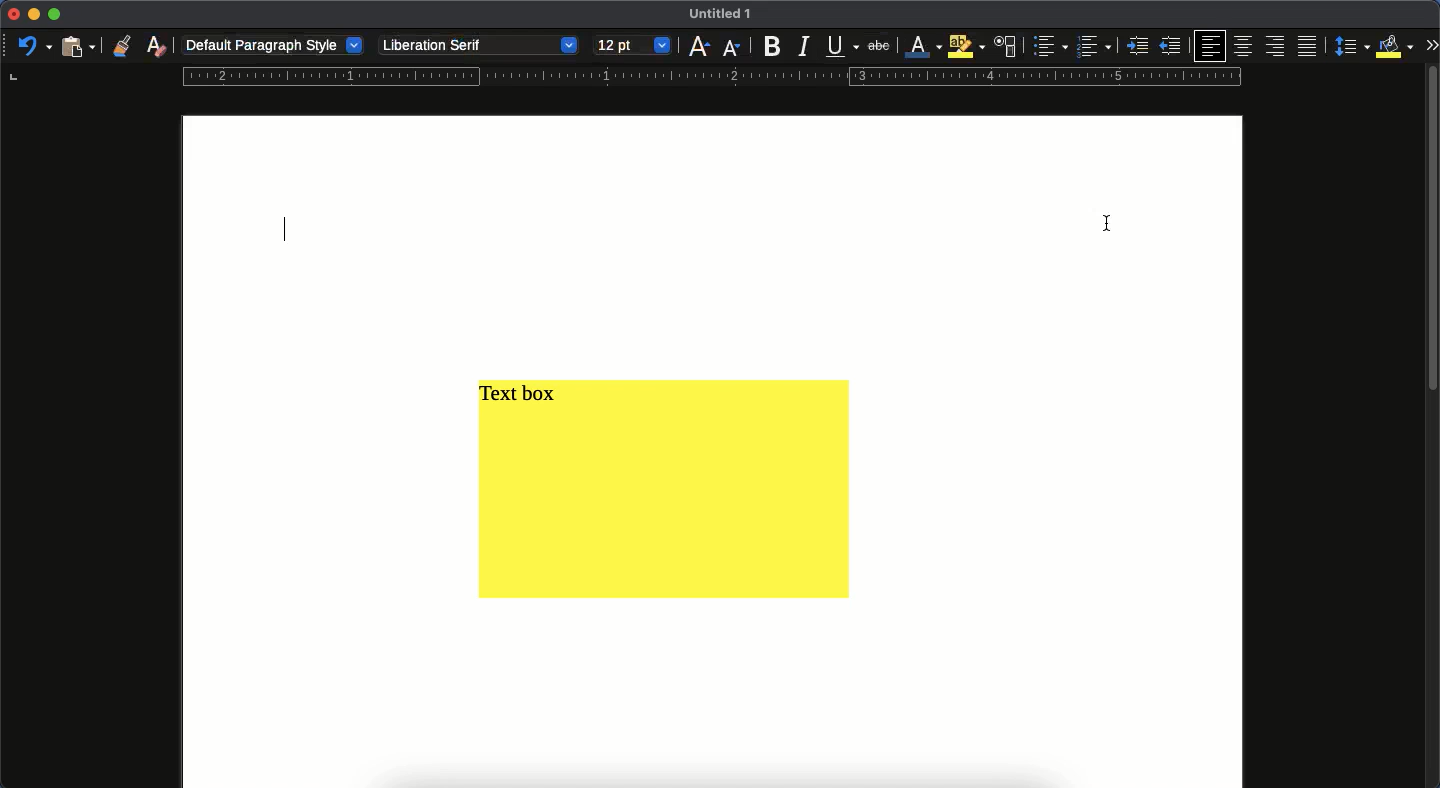  I want to click on Liberation serif - font, so click(477, 45).